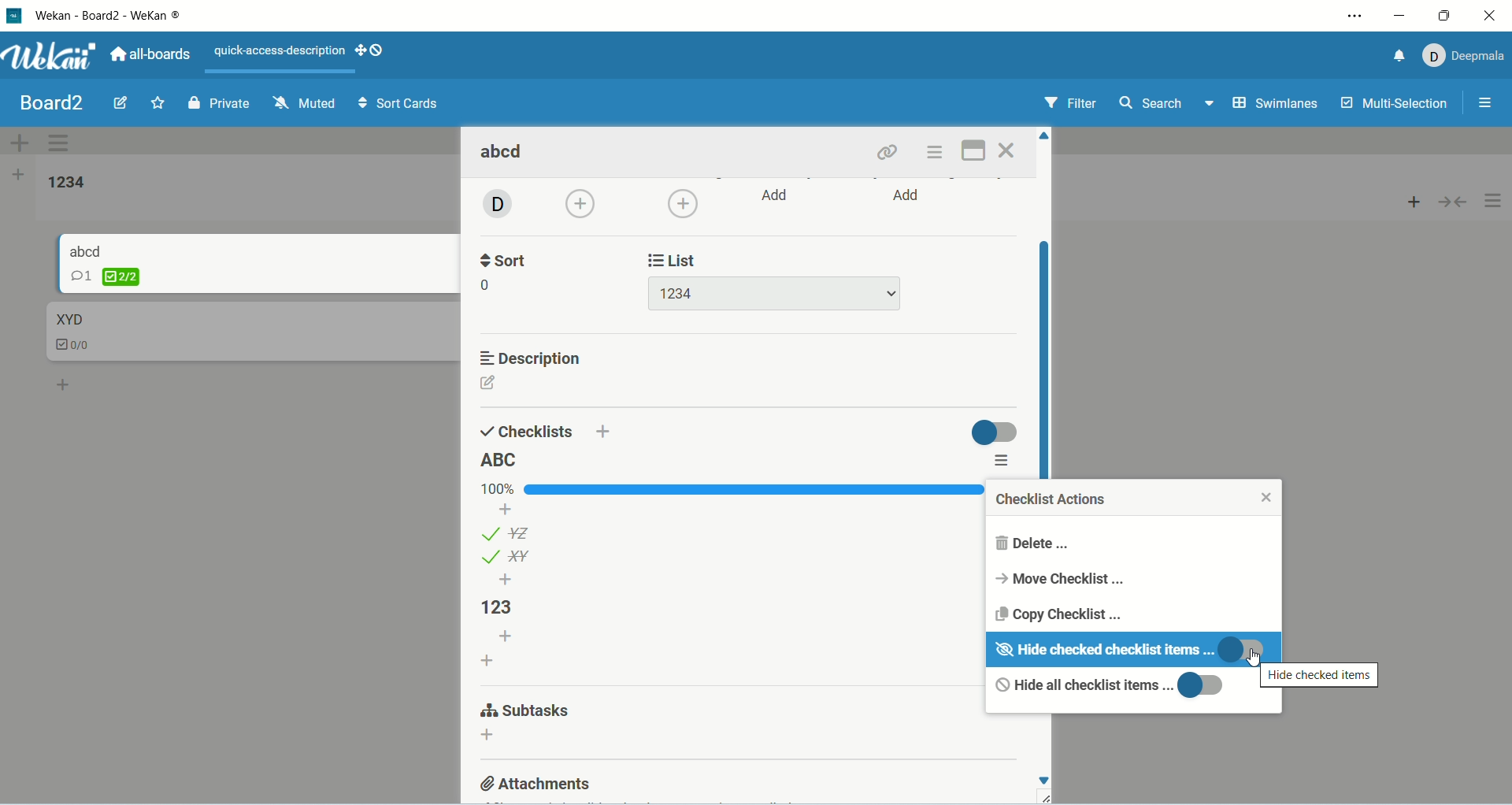 This screenshot has height=805, width=1512. What do you see at coordinates (1410, 205) in the screenshot?
I see `add` at bounding box center [1410, 205].